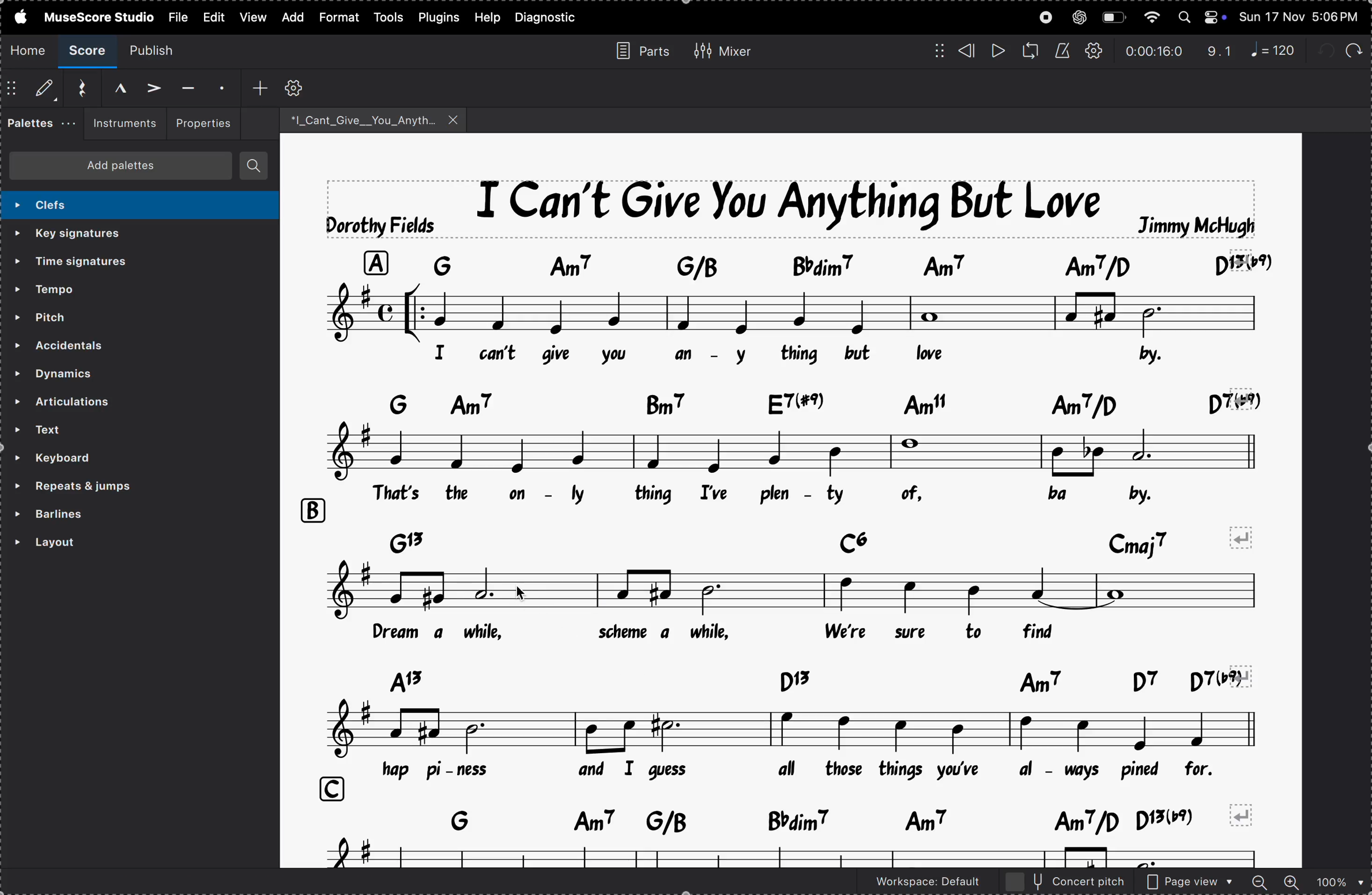 The width and height of the screenshot is (1372, 895). I want to click on articulations, so click(121, 404).